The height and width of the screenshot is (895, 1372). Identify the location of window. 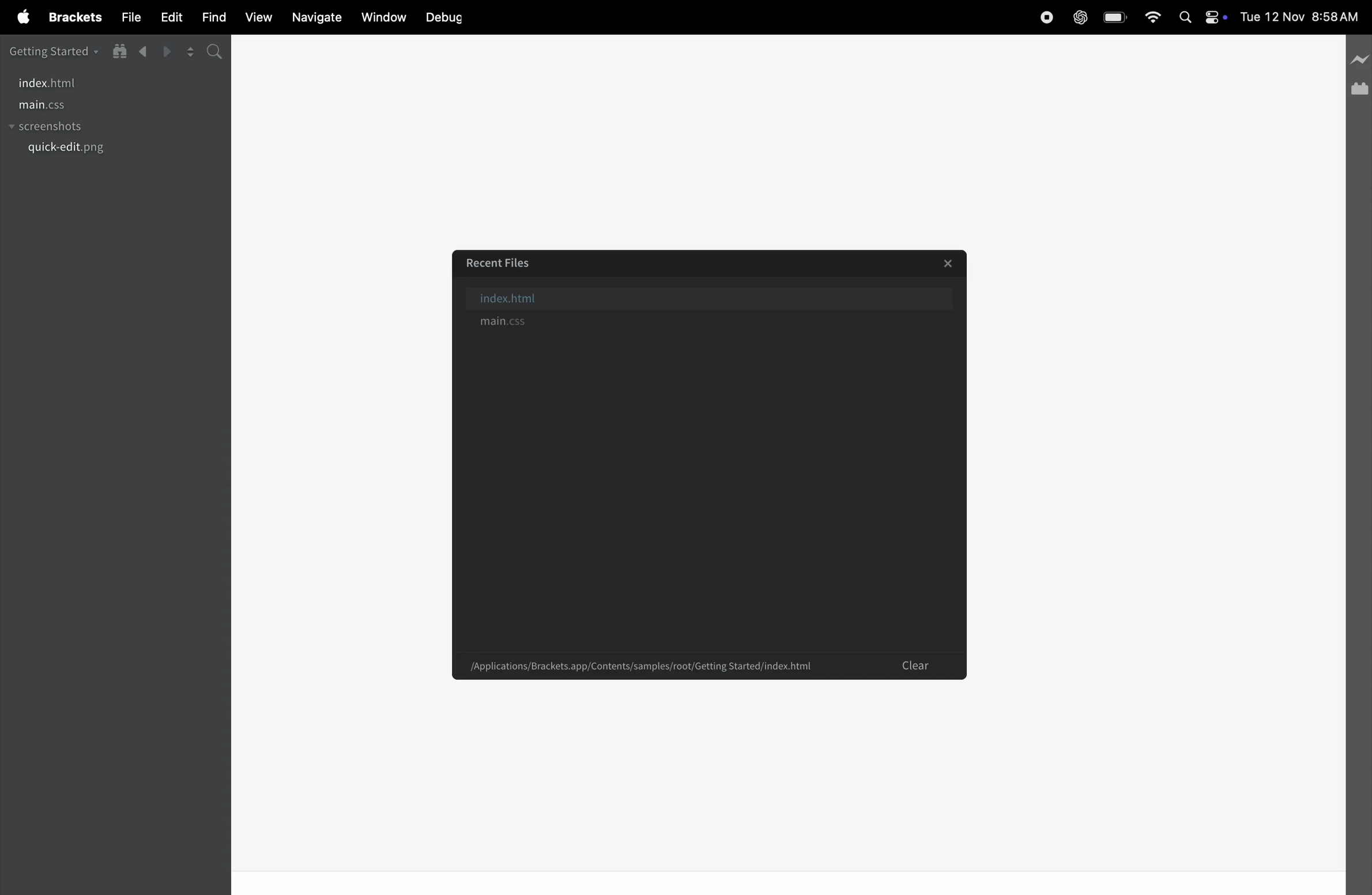
(380, 18).